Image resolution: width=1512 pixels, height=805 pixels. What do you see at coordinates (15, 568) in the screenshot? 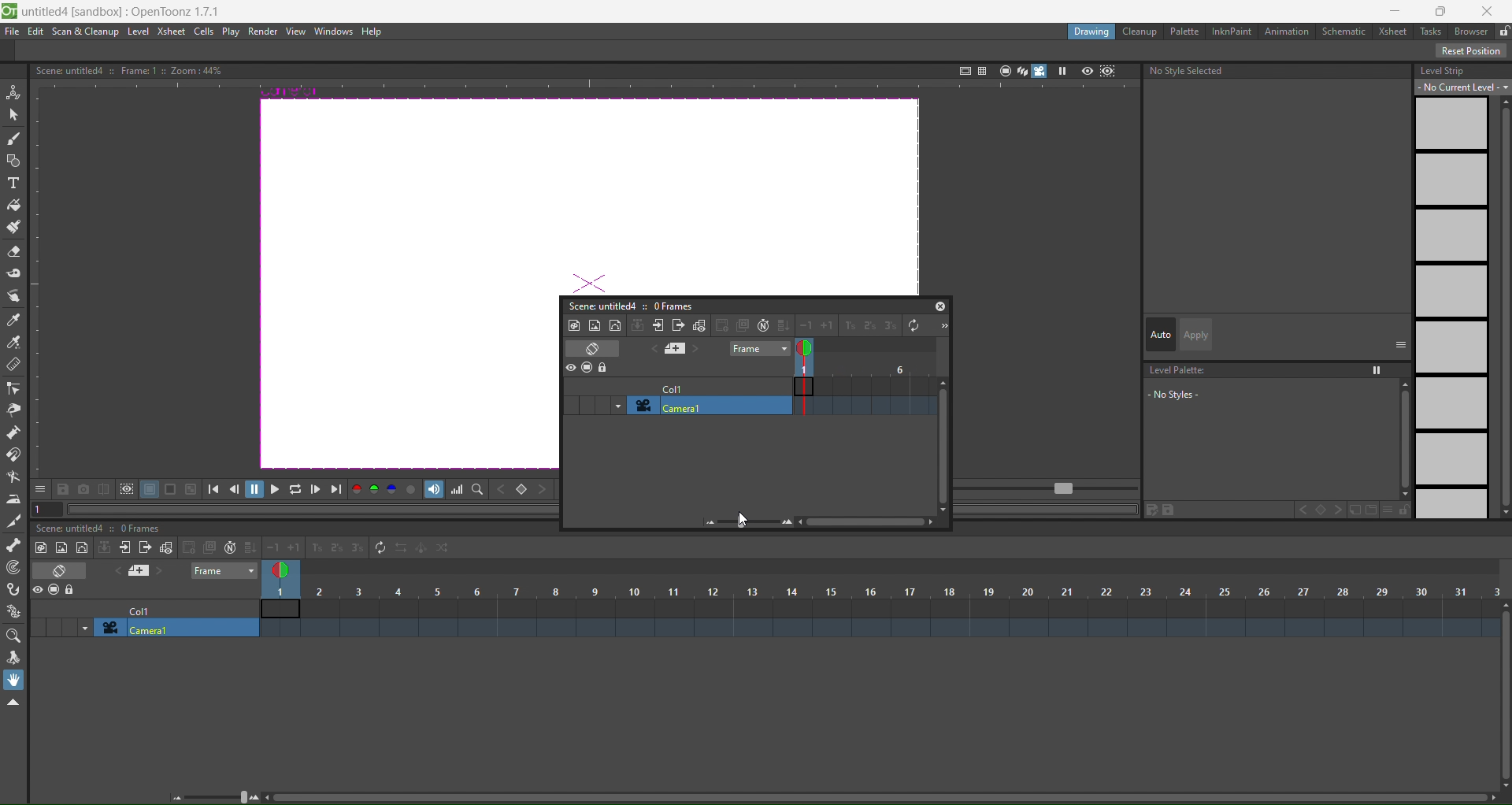
I see `tracker tool` at bounding box center [15, 568].